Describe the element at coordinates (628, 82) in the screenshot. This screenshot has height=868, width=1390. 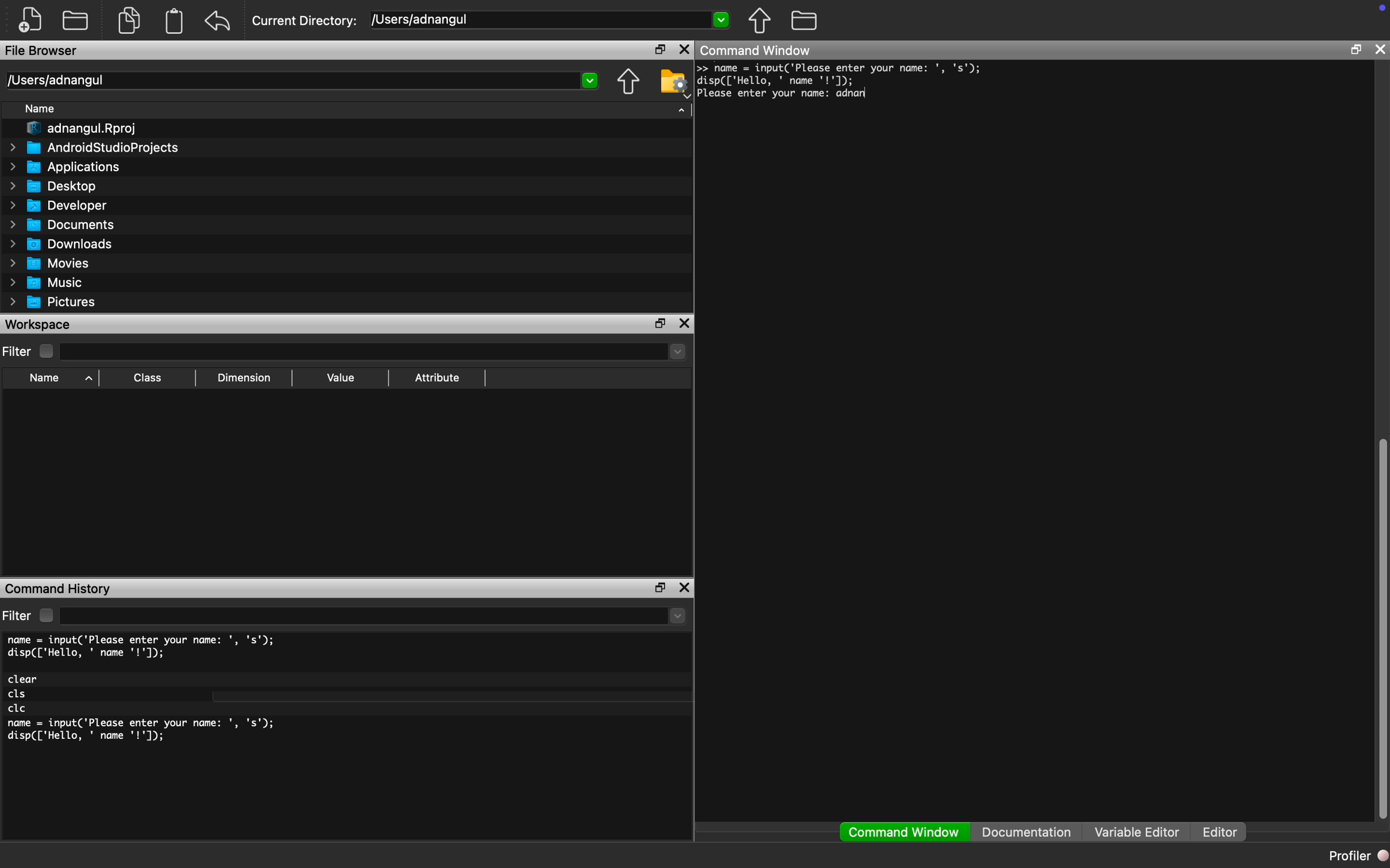
I see `Previous file` at that location.